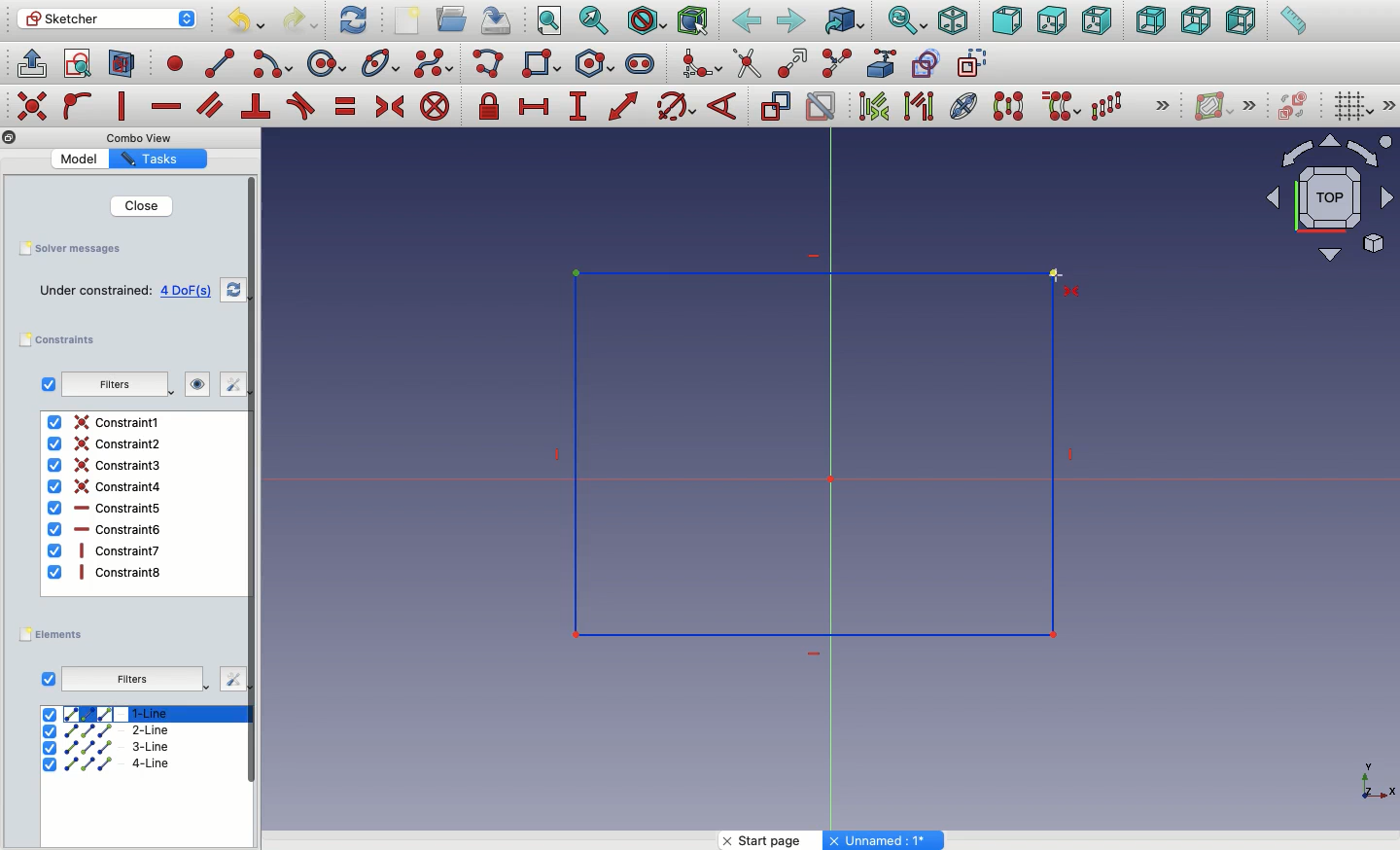 This screenshot has height=850, width=1400. I want to click on Polygon, so click(598, 64).